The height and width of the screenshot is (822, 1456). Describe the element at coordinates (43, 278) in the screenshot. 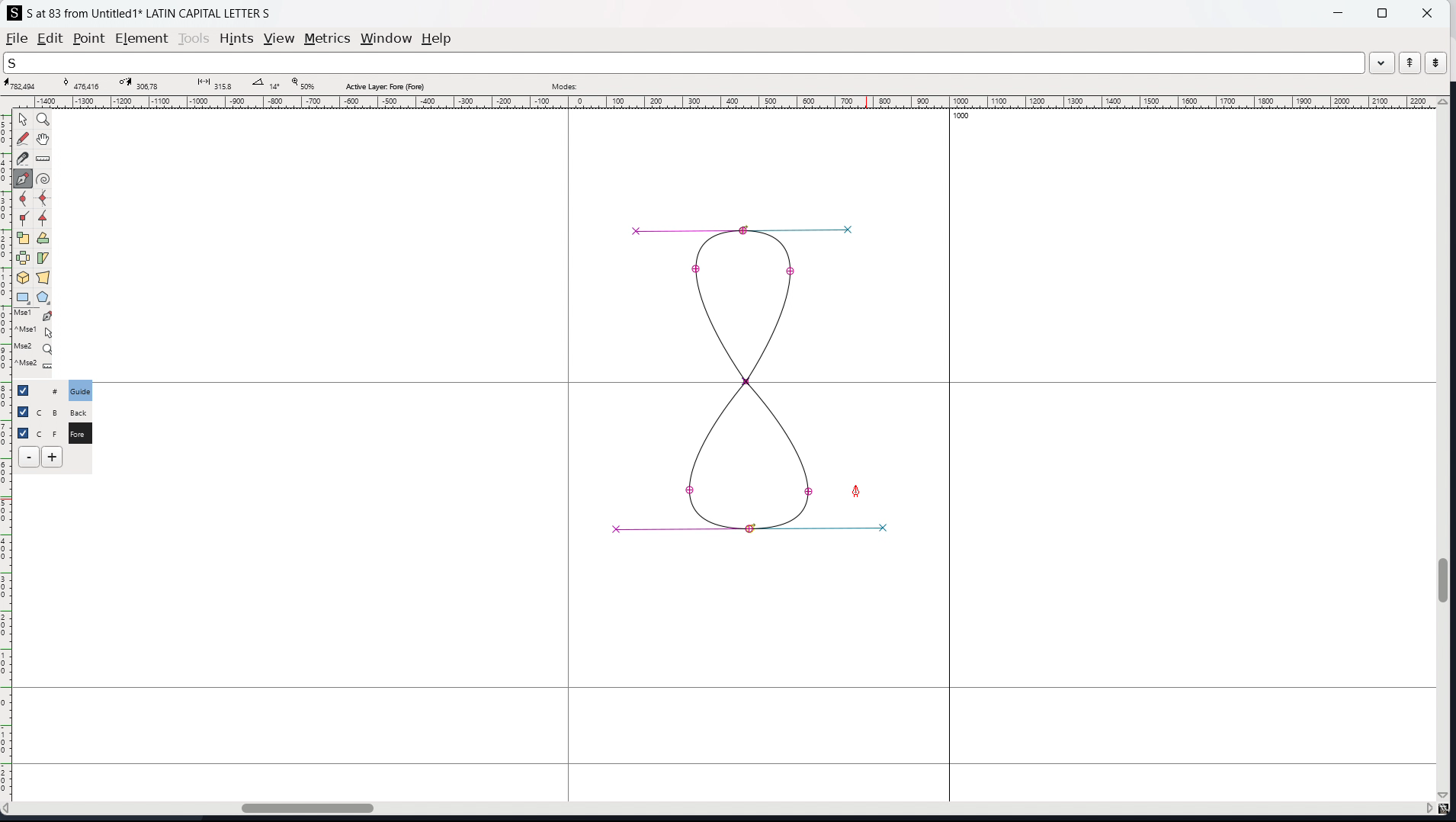

I see `perspective transformation` at that location.